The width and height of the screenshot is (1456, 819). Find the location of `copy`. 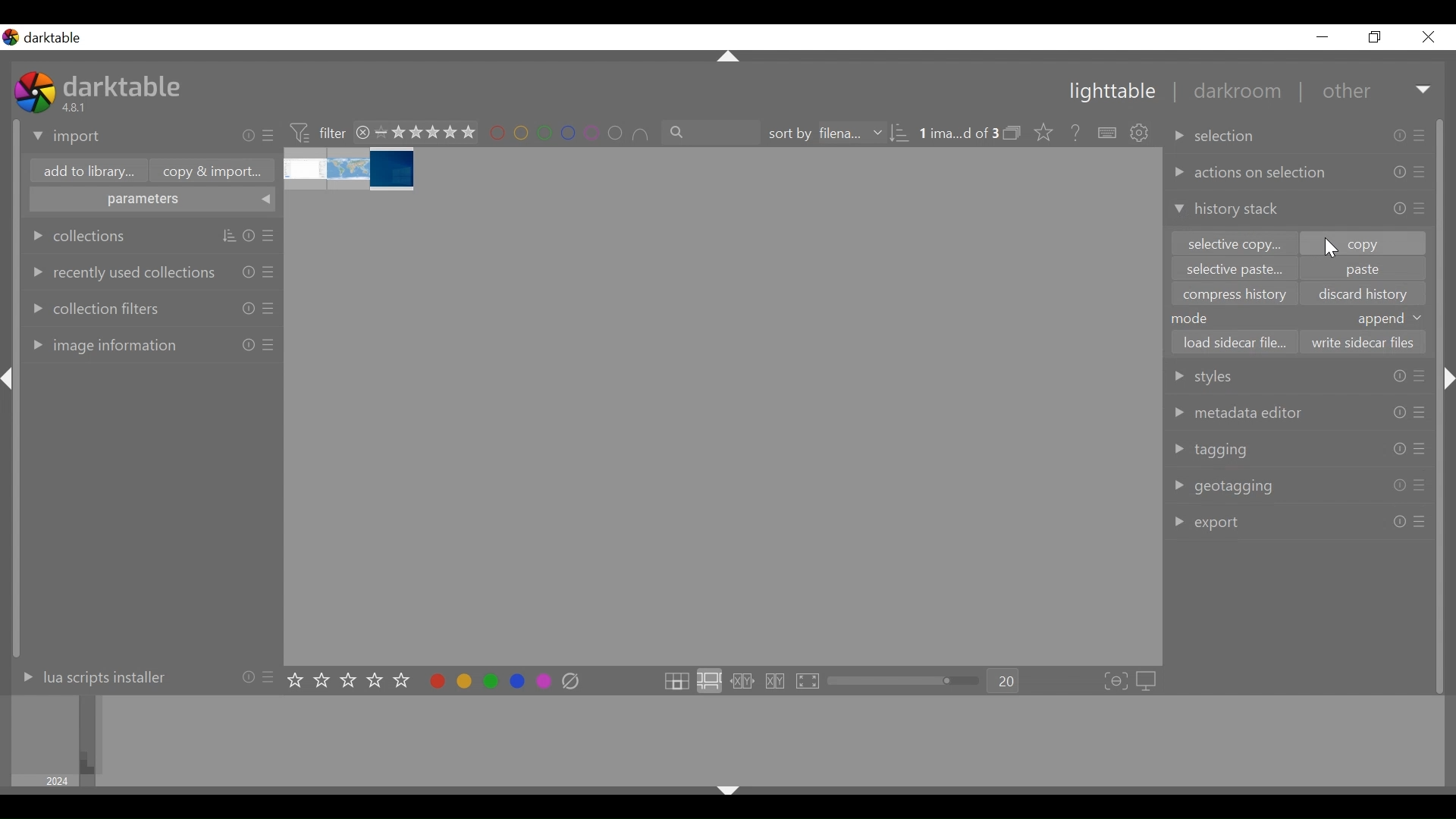

copy is located at coordinates (1362, 243).